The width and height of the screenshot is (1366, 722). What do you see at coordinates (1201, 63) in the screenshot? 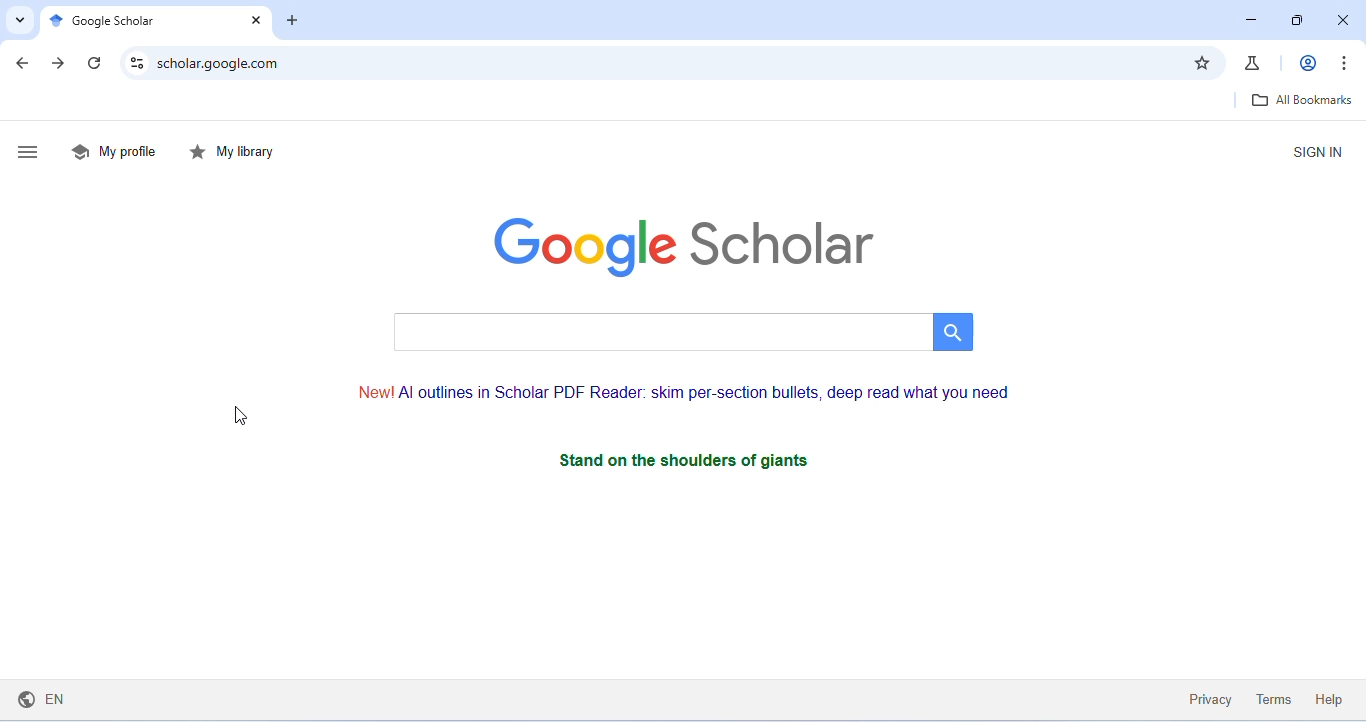
I see `add bookmark` at bounding box center [1201, 63].